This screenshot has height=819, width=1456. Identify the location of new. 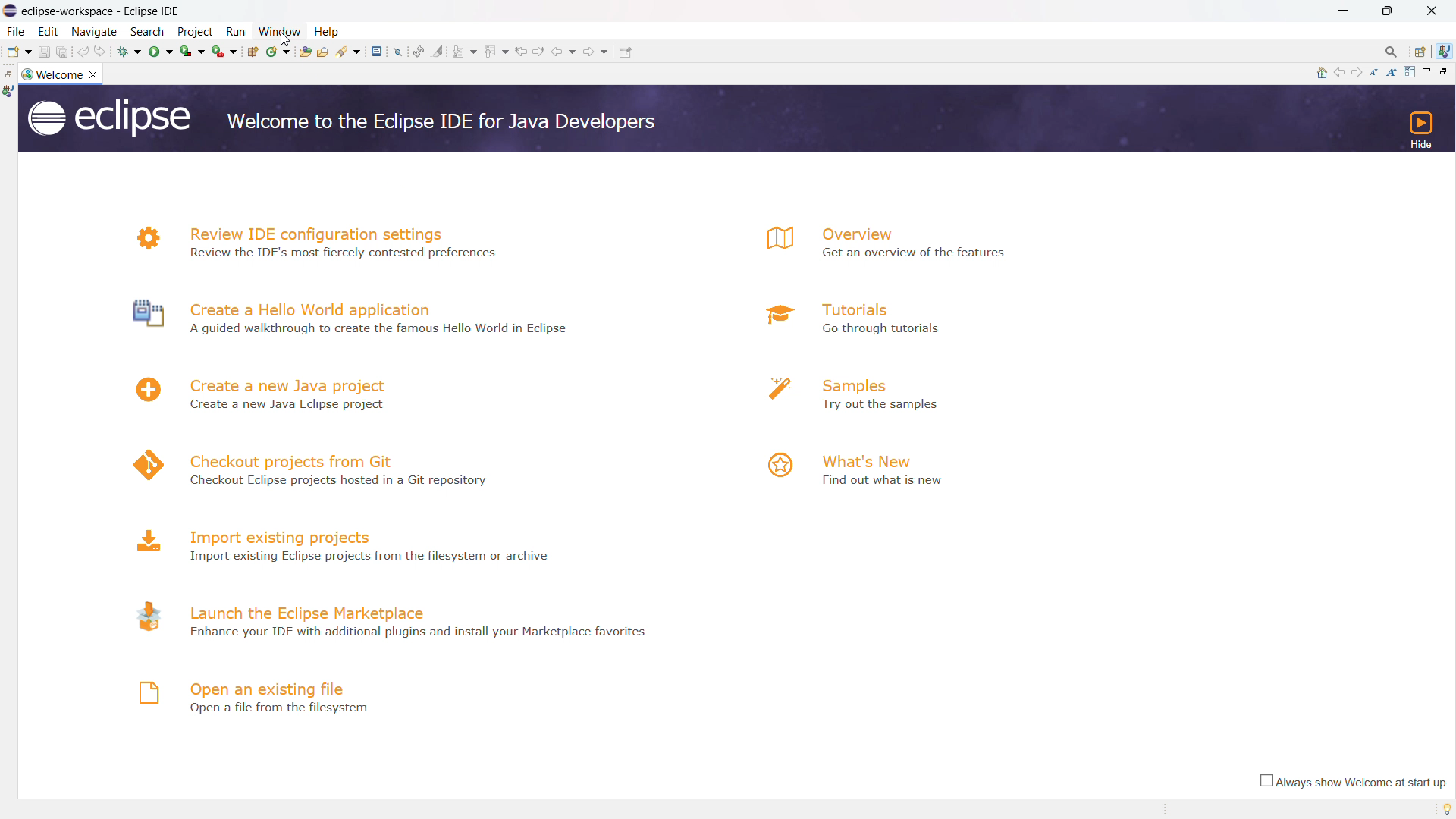
(18, 52).